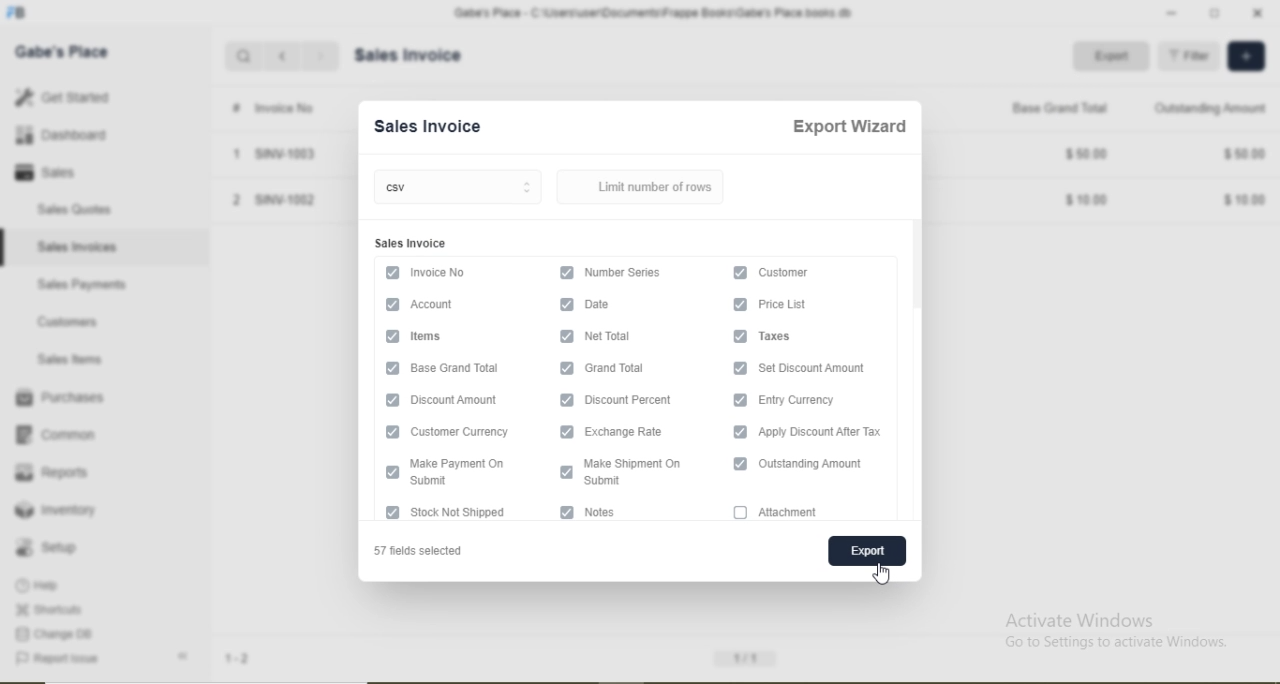  Describe the element at coordinates (622, 336) in the screenshot. I see `‘Net Total` at that location.